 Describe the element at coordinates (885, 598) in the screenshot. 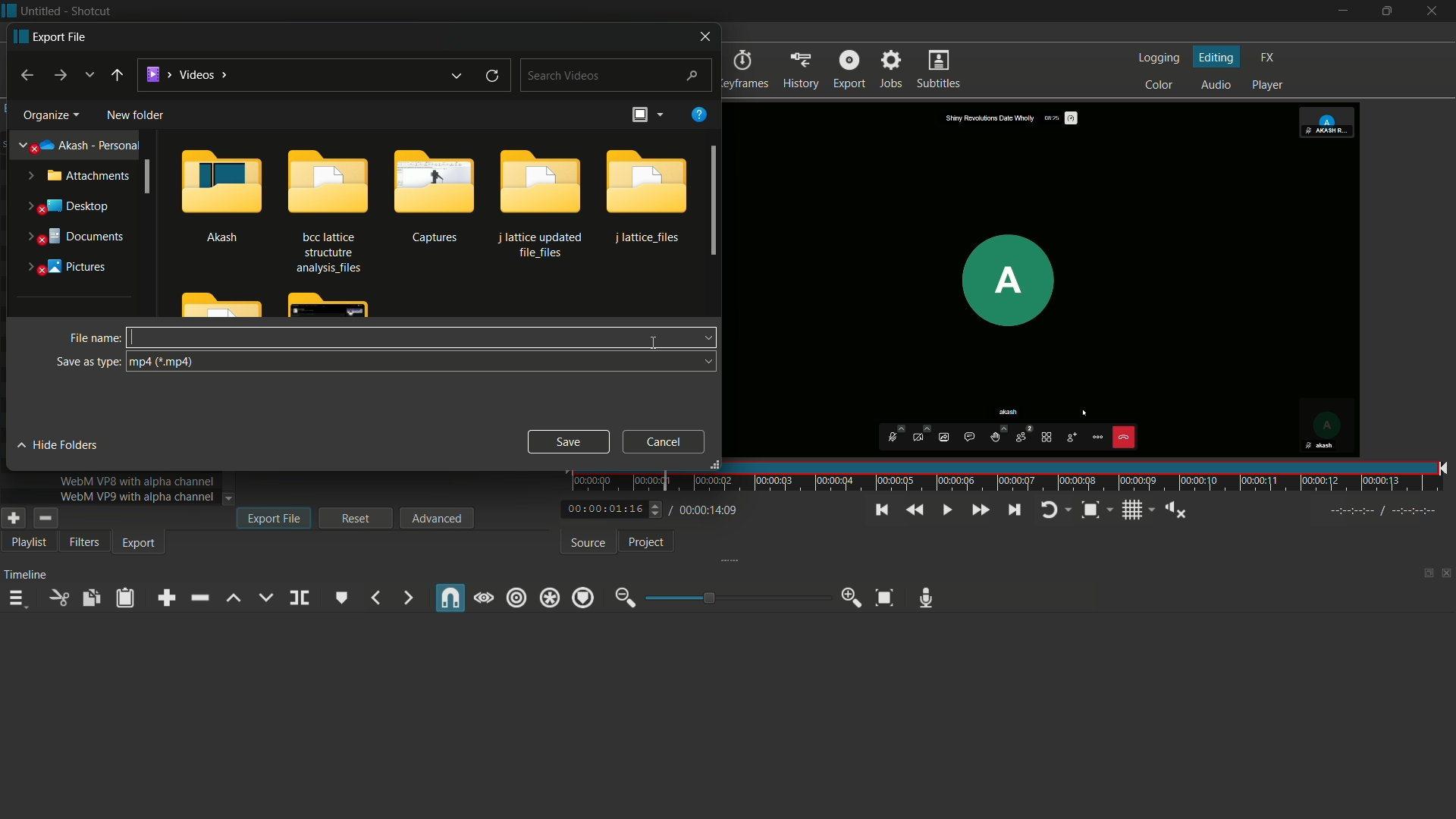

I see `zoom timeline to fit` at that location.